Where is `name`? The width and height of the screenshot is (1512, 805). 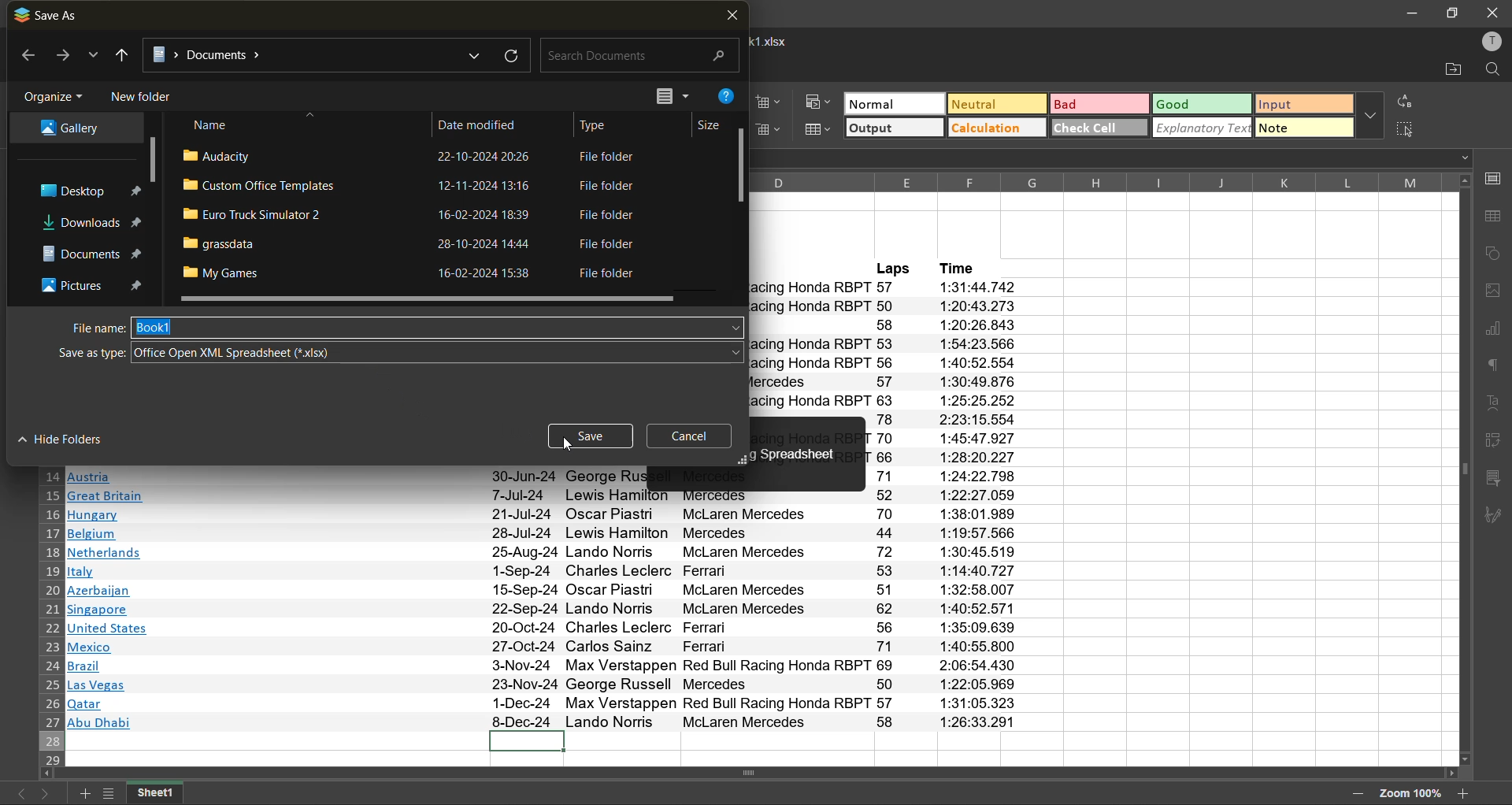 name is located at coordinates (218, 124).